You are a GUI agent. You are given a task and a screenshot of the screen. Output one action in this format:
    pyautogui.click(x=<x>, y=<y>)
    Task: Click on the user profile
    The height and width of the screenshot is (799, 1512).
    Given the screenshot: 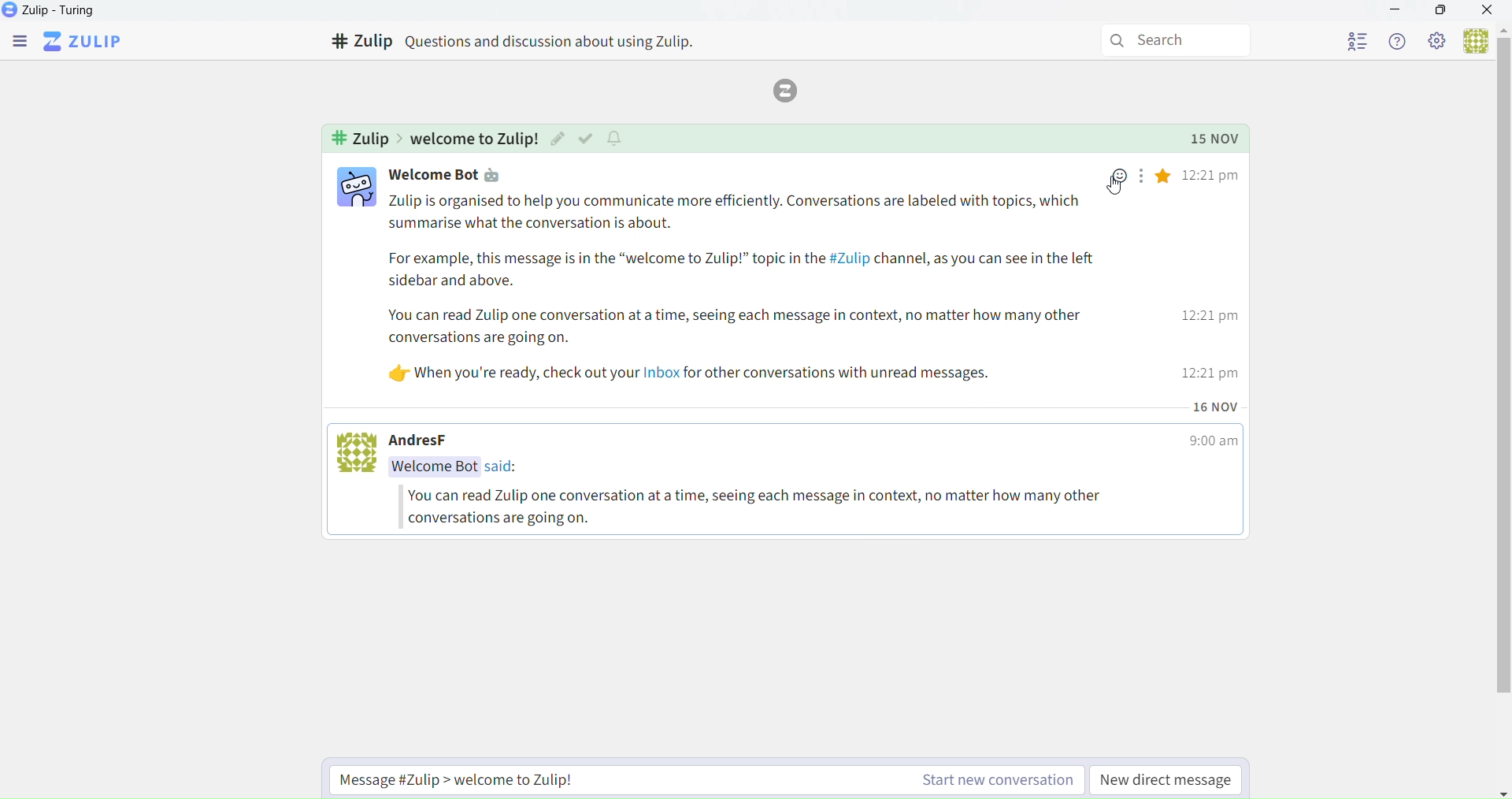 What is the action you would take?
    pyautogui.click(x=357, y=455)
    